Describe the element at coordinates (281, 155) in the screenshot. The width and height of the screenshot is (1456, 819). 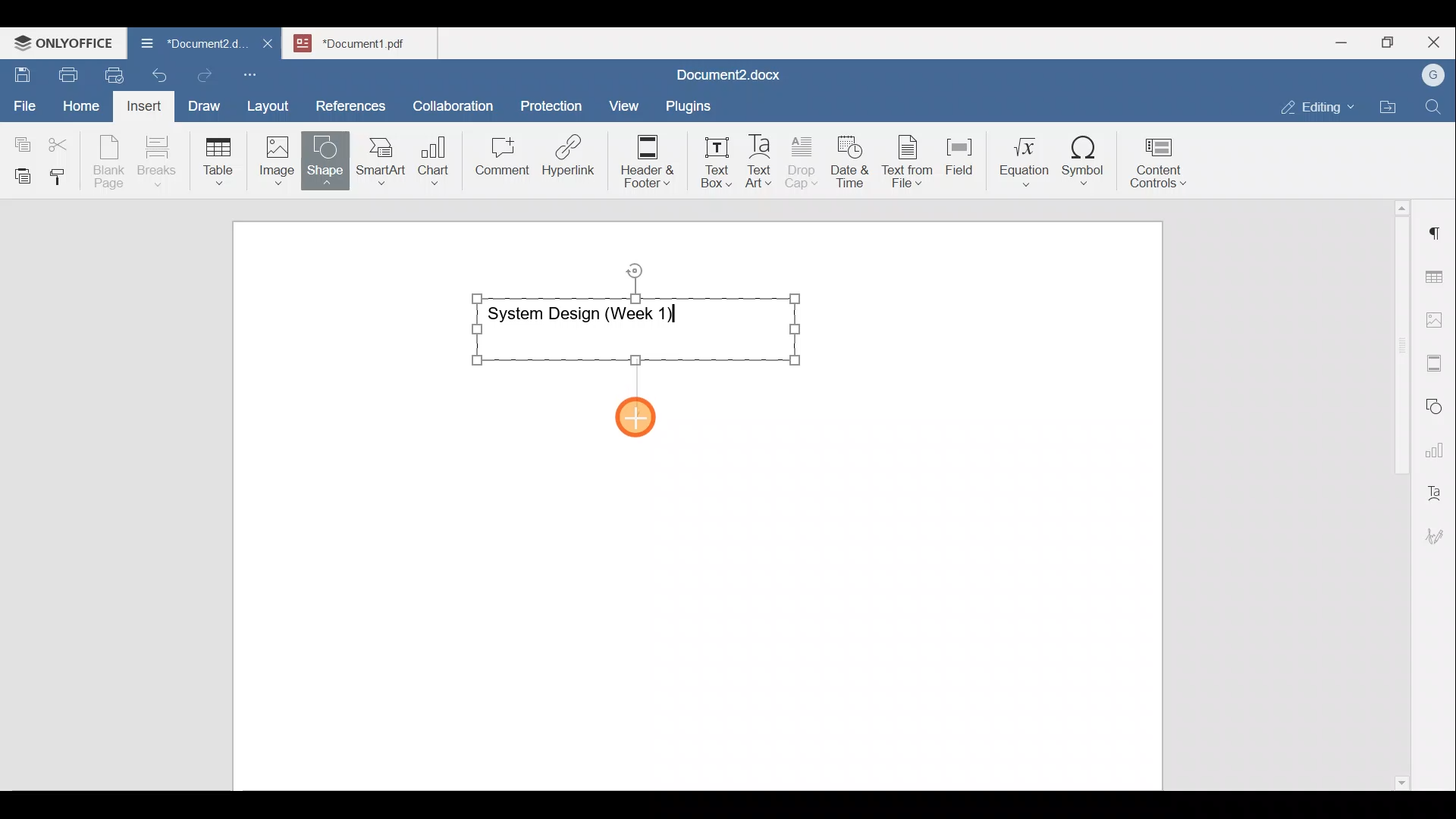
I see `Image` at that location.